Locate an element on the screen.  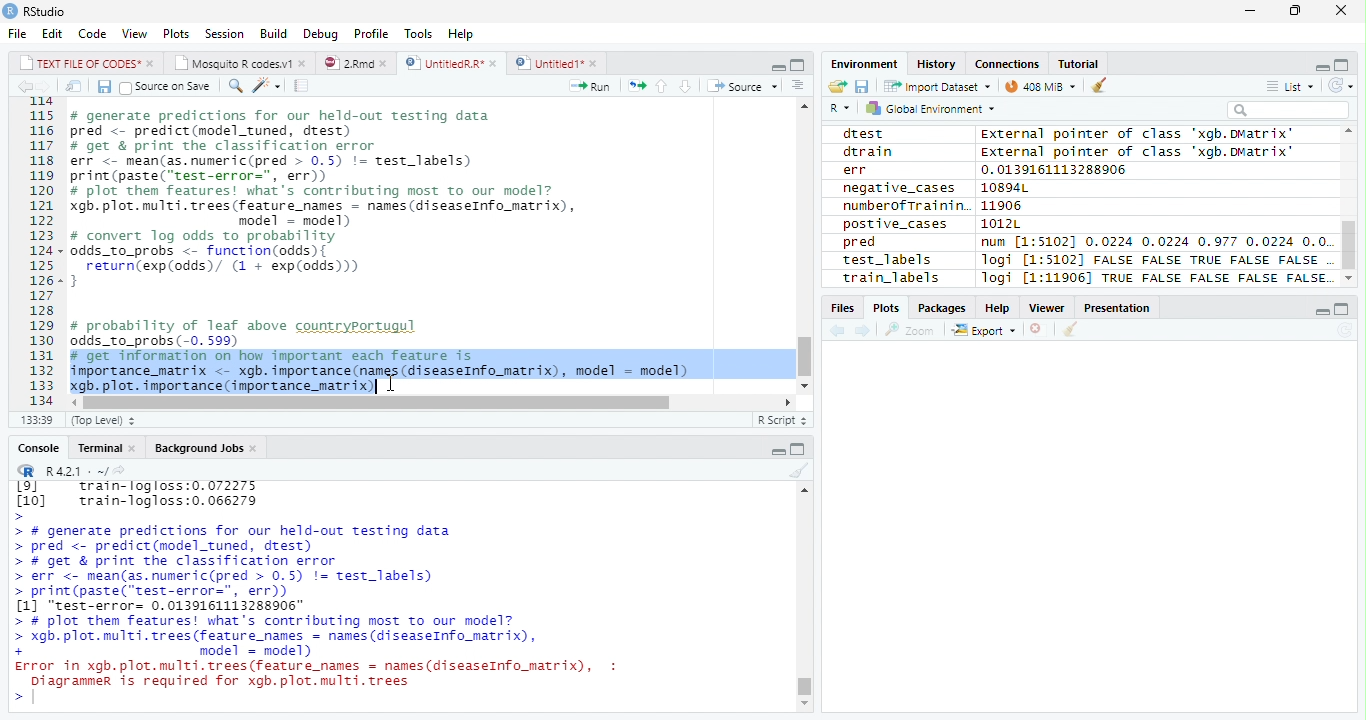
Show in new window is located at coordinates (70, 86).